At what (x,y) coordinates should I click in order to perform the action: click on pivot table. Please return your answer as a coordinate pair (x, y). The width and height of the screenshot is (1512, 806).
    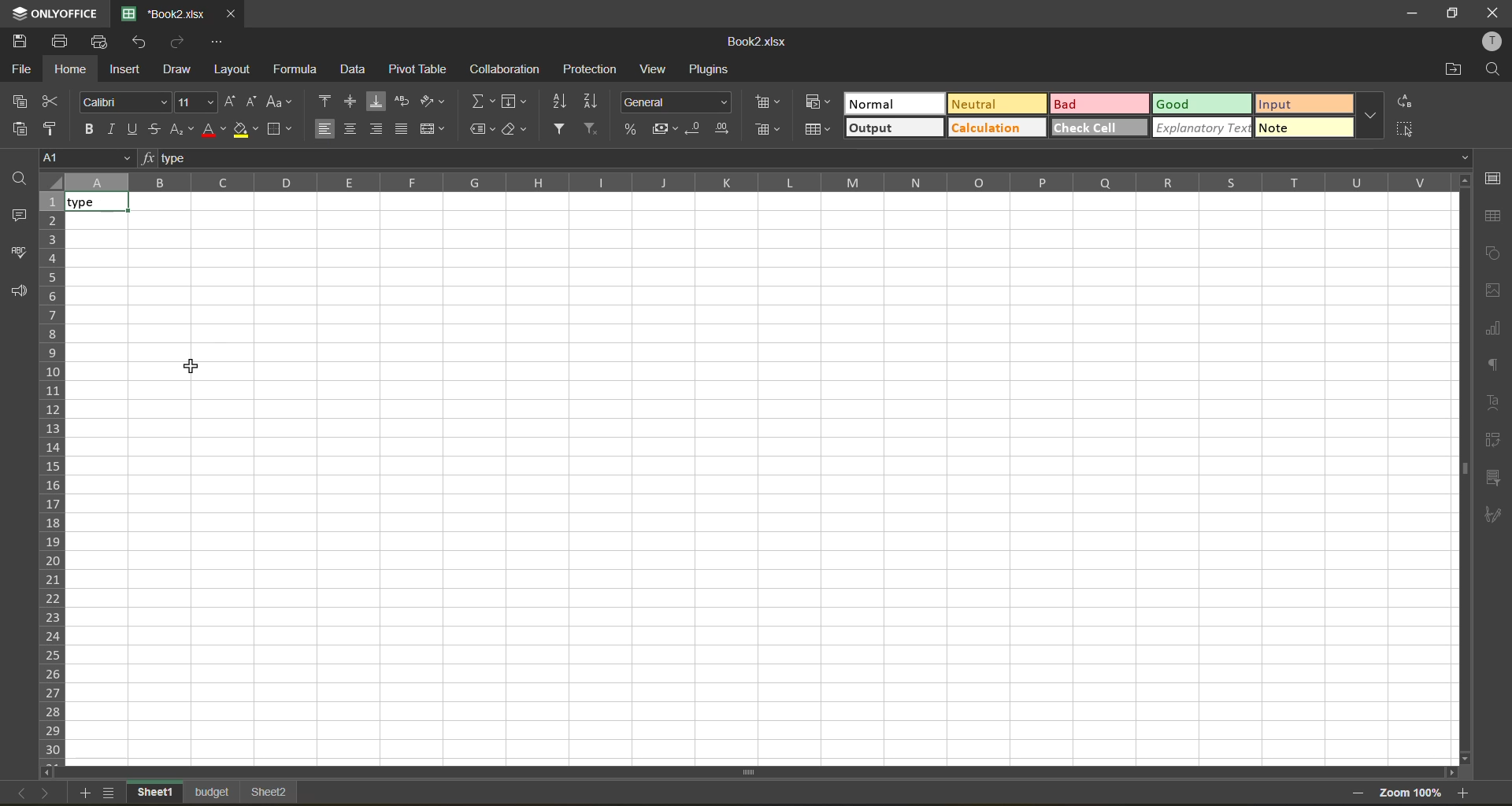
    Looking at the image, I should click on (419, 70).